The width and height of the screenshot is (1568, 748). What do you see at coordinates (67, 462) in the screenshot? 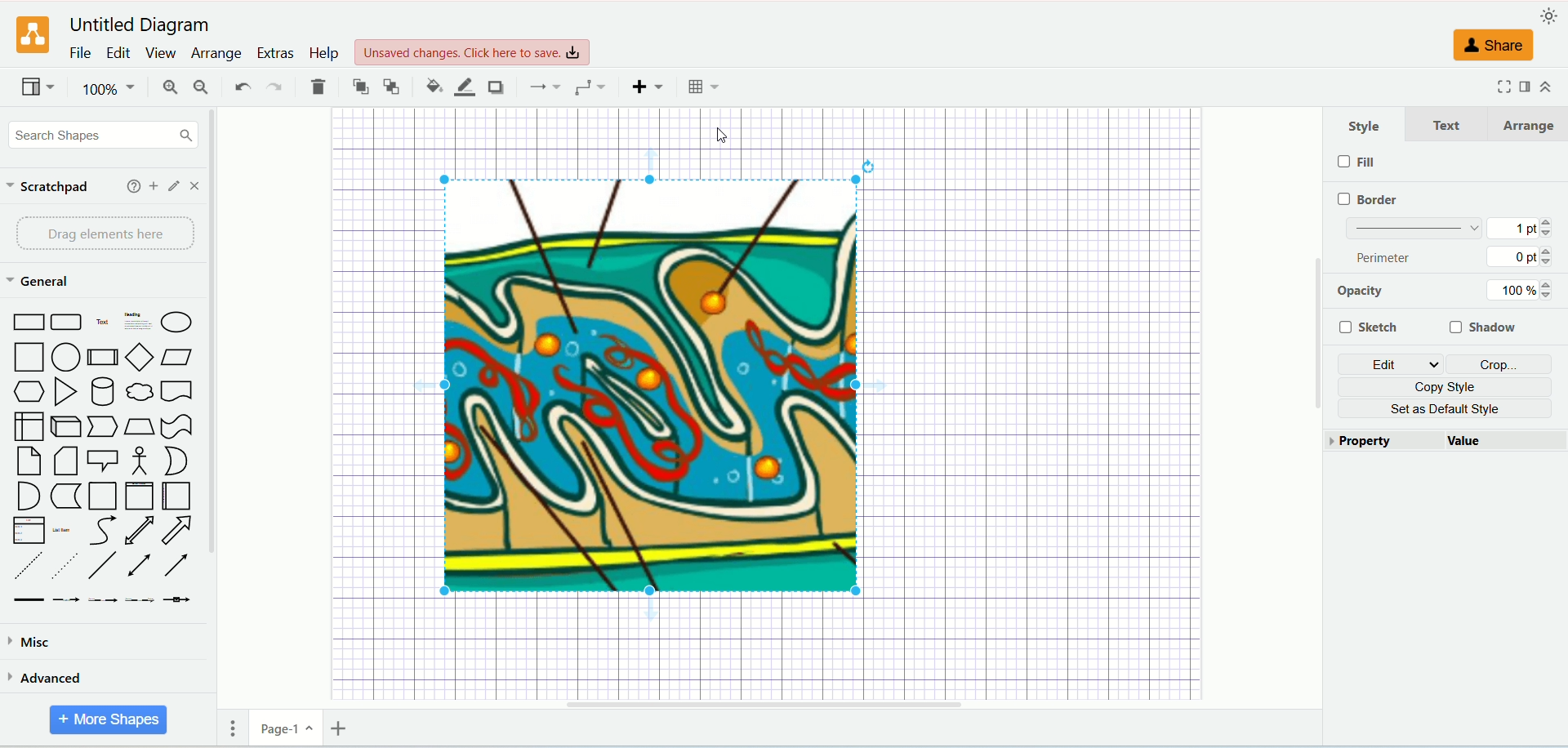
I see `Note` at bounding box center [67, 462].